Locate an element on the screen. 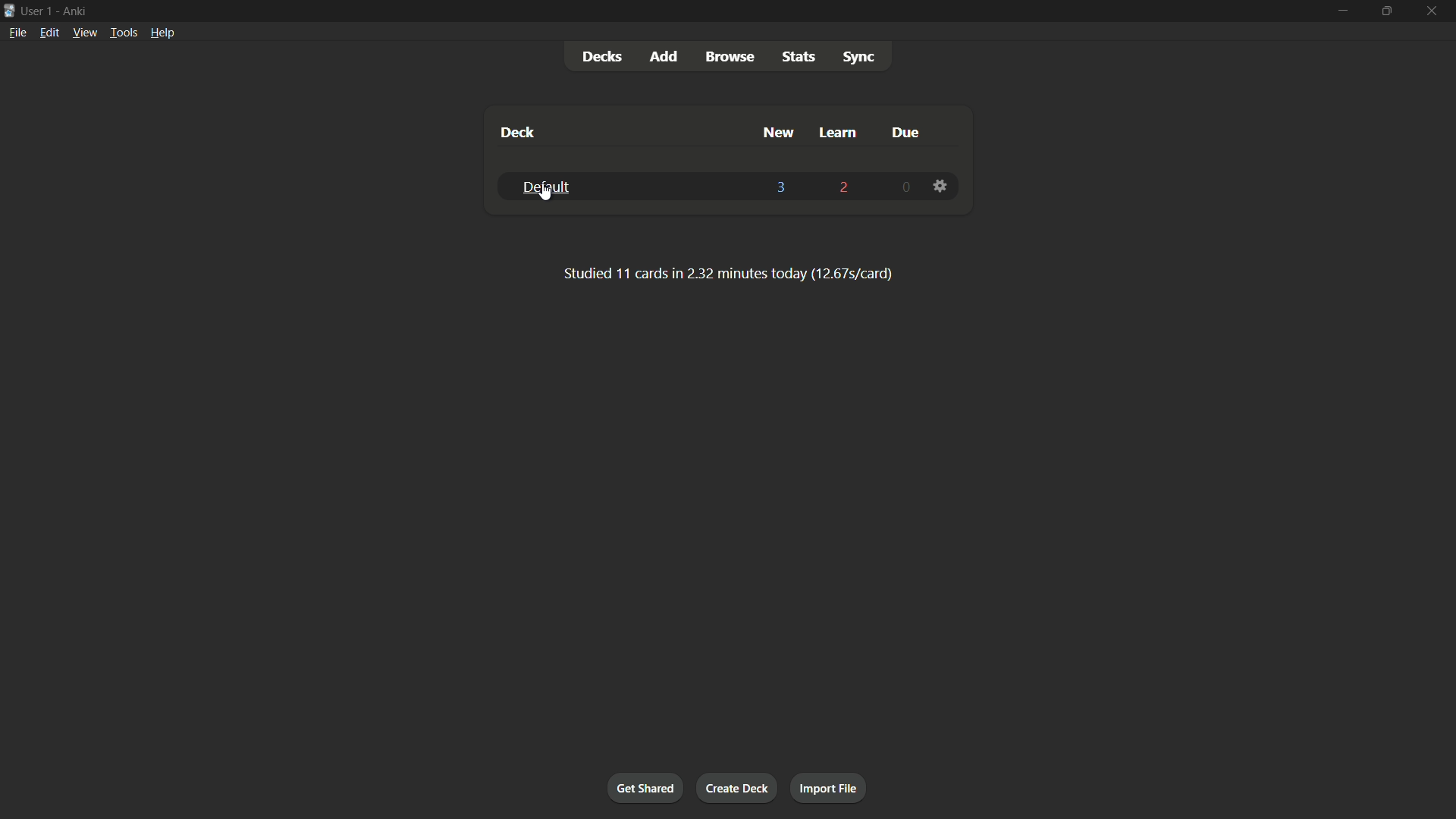  get started is located at coordinates (645, 789).